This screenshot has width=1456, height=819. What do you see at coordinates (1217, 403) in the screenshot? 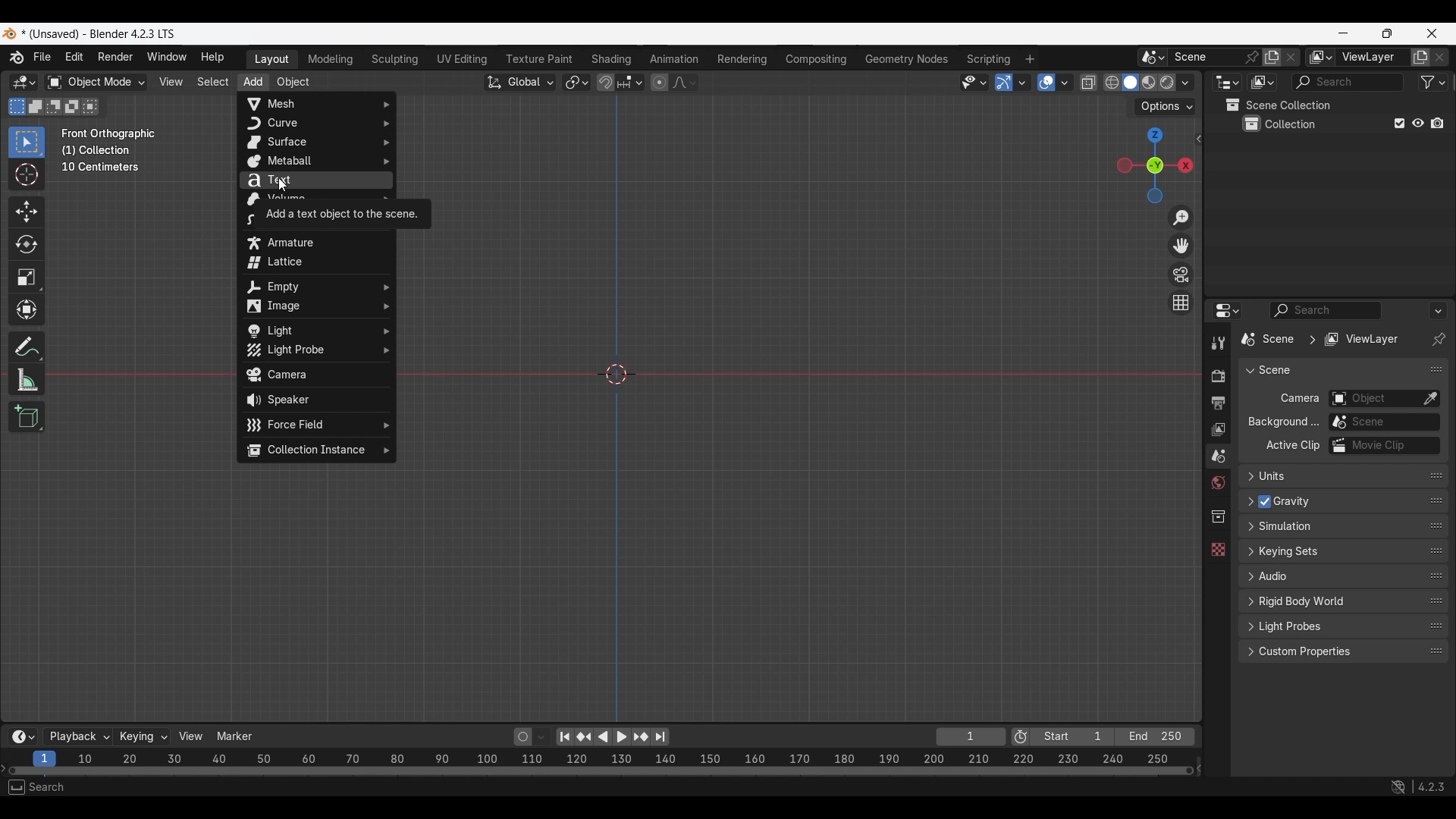
I see `Output` at bounding box center [1217, 403].